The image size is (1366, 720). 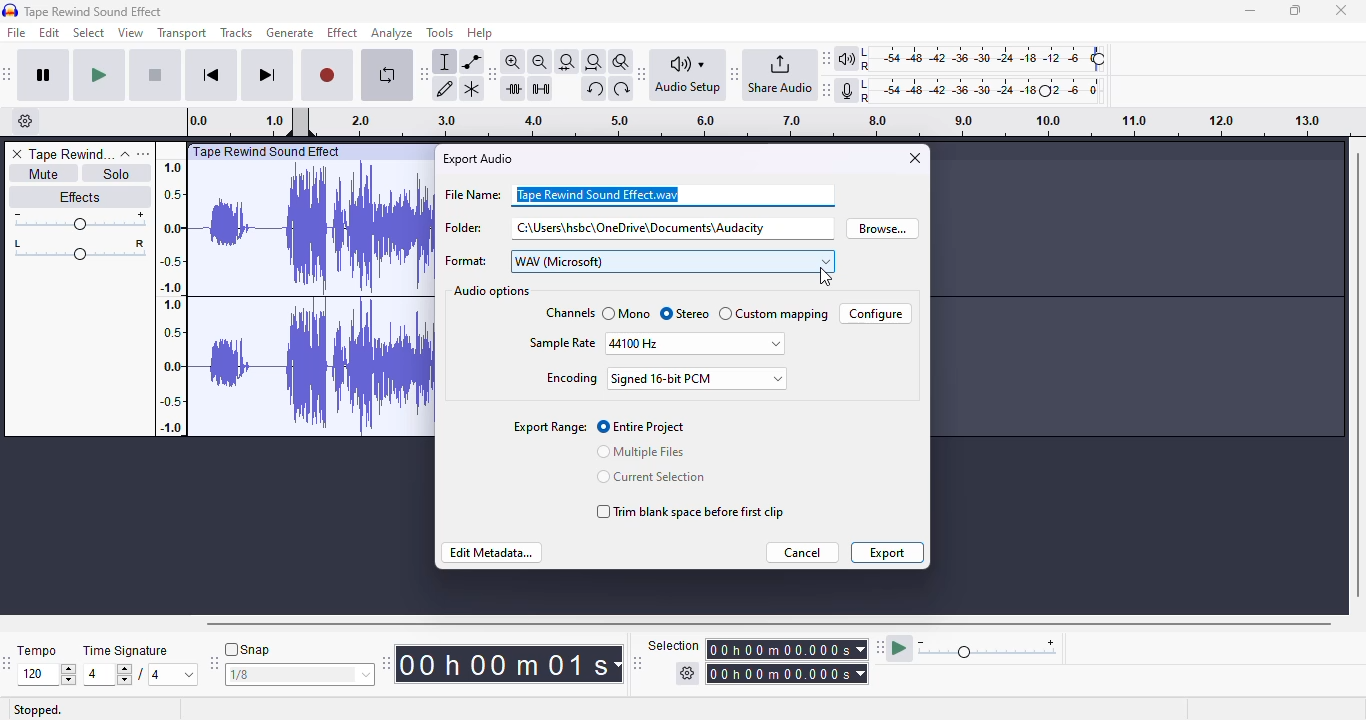 I want to click on zoom toggle, so click(x=622, y=62).